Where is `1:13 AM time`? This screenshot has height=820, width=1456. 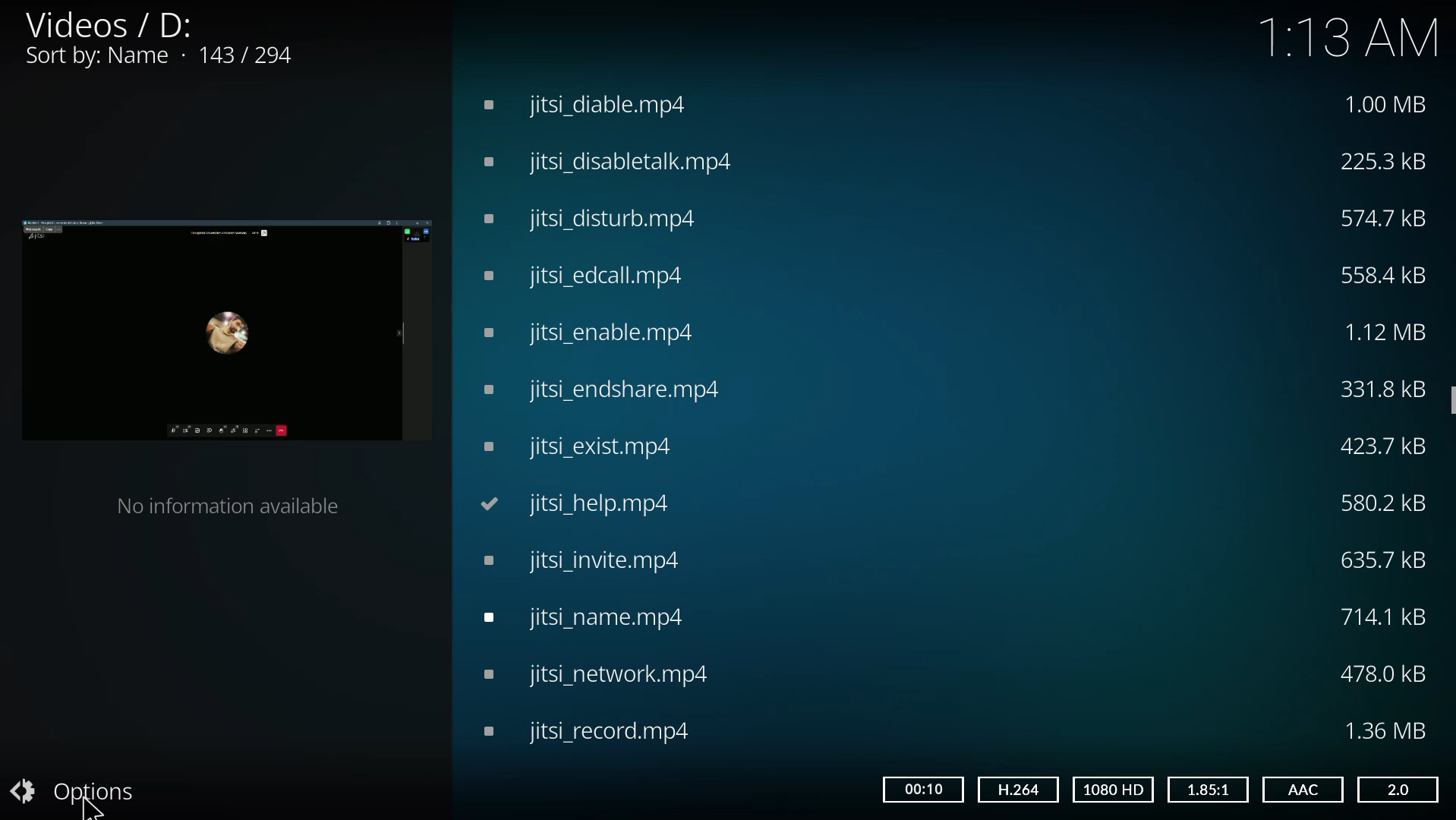 1:13 AM time is located at coordinates (1351, 39).